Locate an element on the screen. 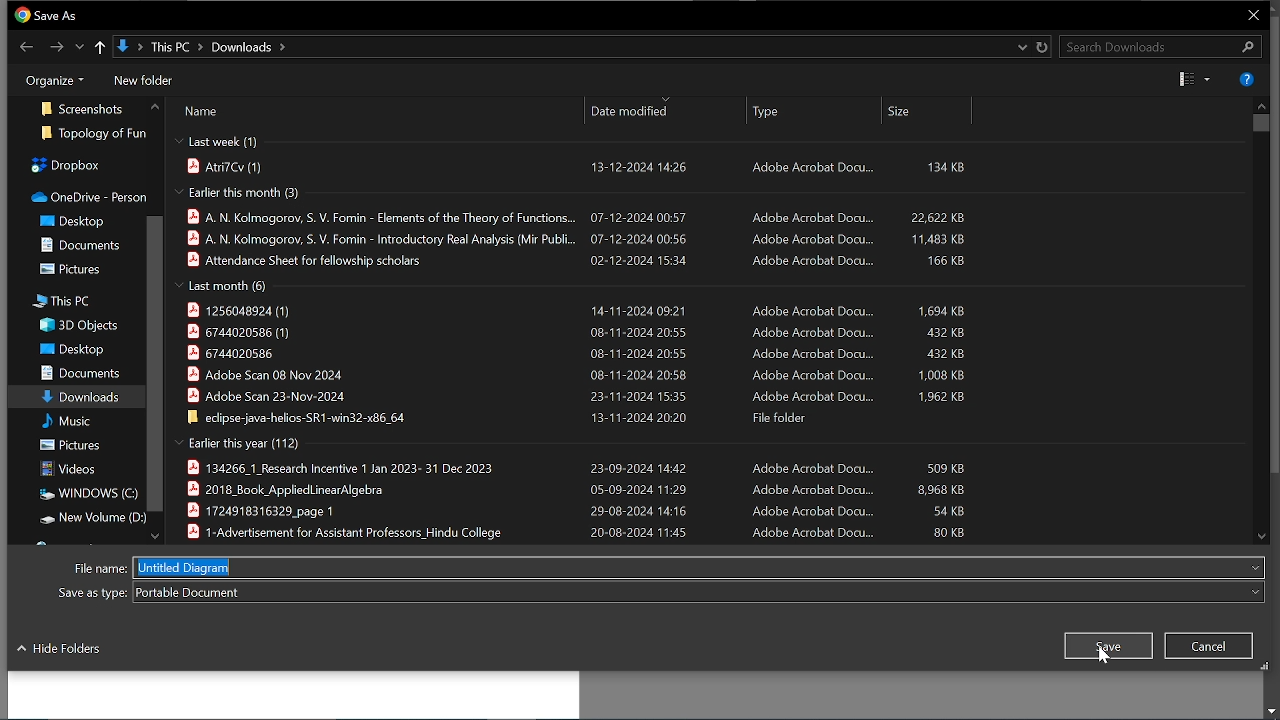 This screenshot has width=1280, height=720. last week is located at coordinates (220, 141).